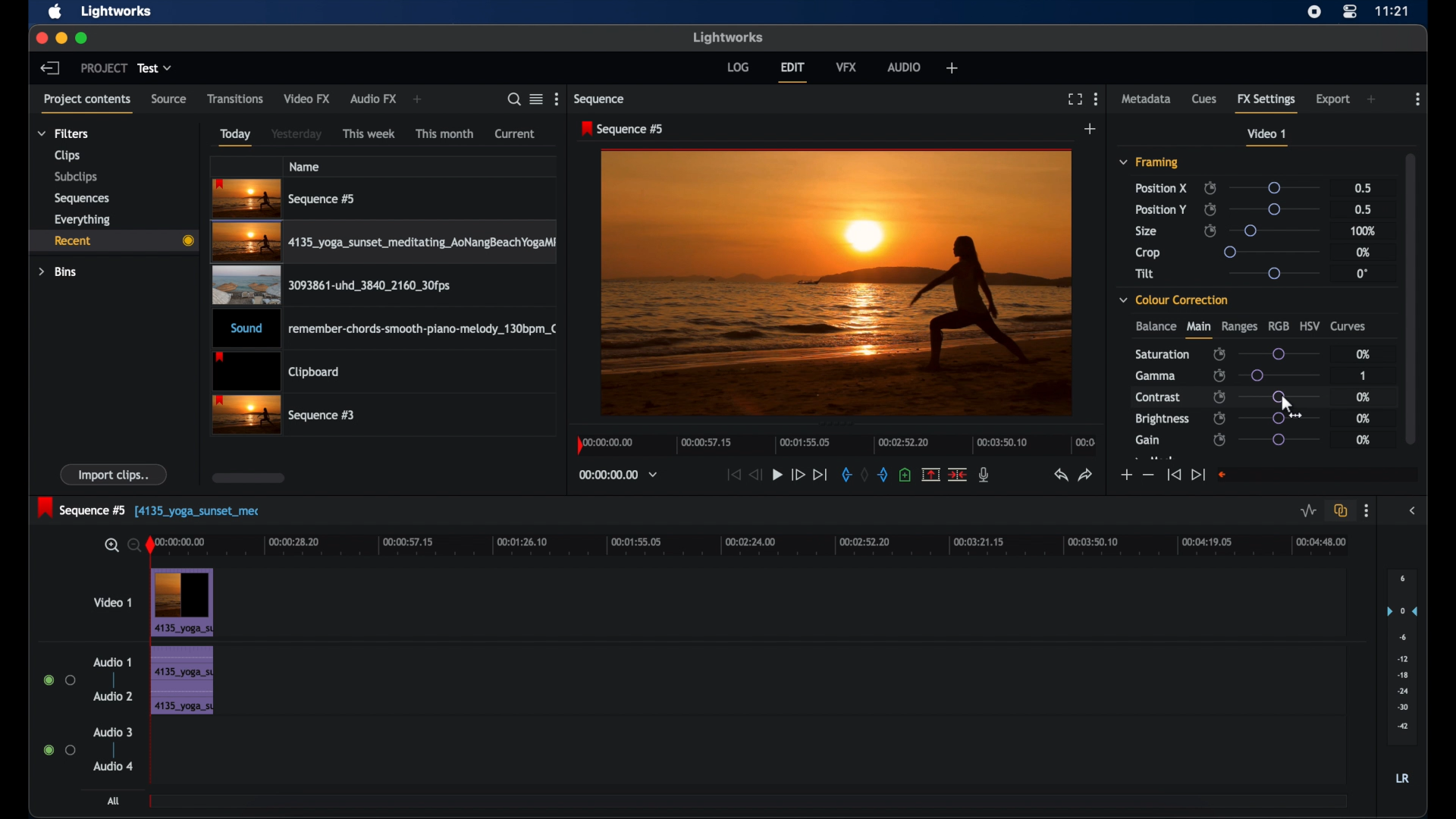 Image resolution: width=1456 pixels, height=819 pixels. I want to click on slider, so click(1277, 230).